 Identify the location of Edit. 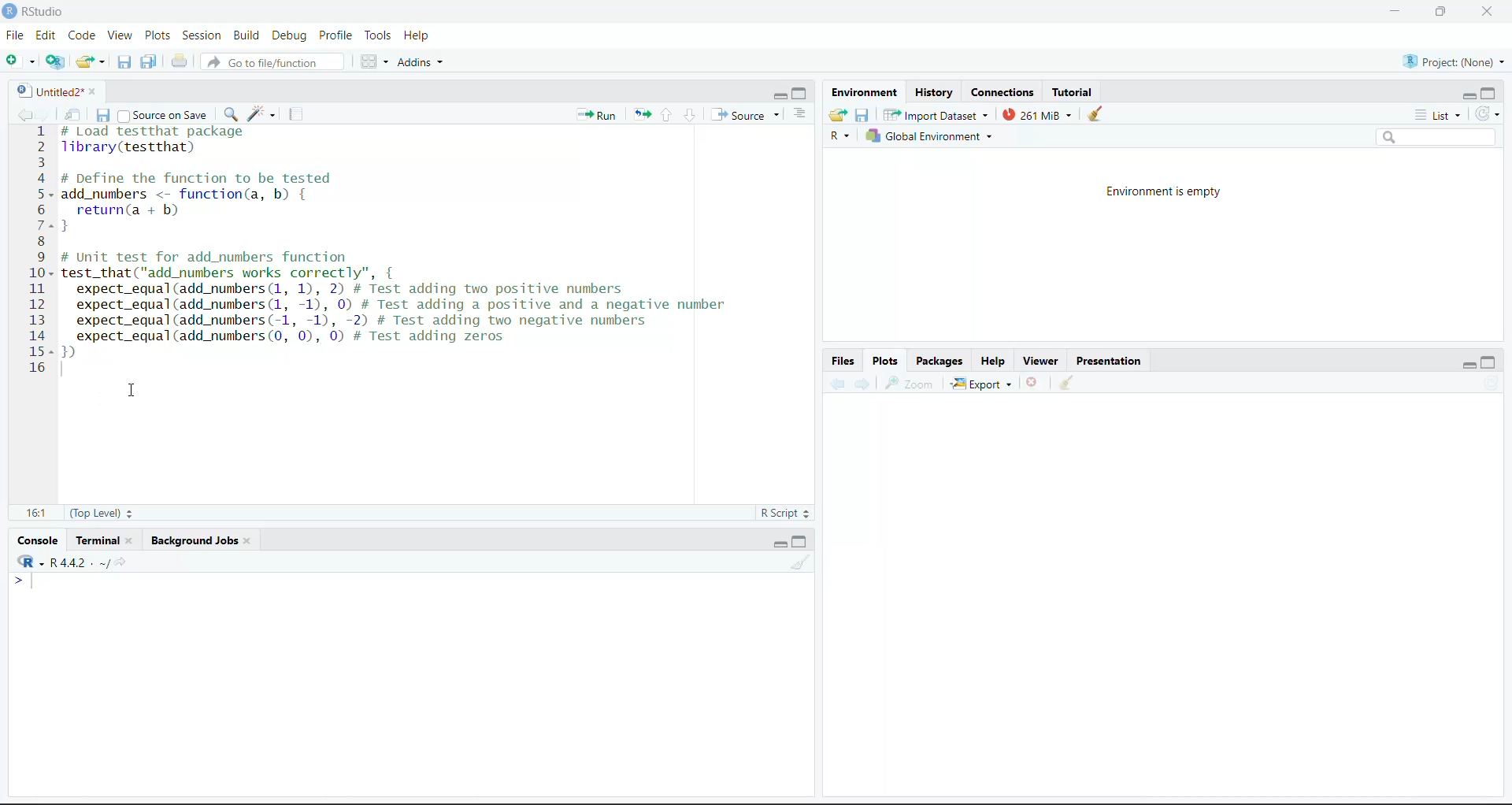
(45, 35).